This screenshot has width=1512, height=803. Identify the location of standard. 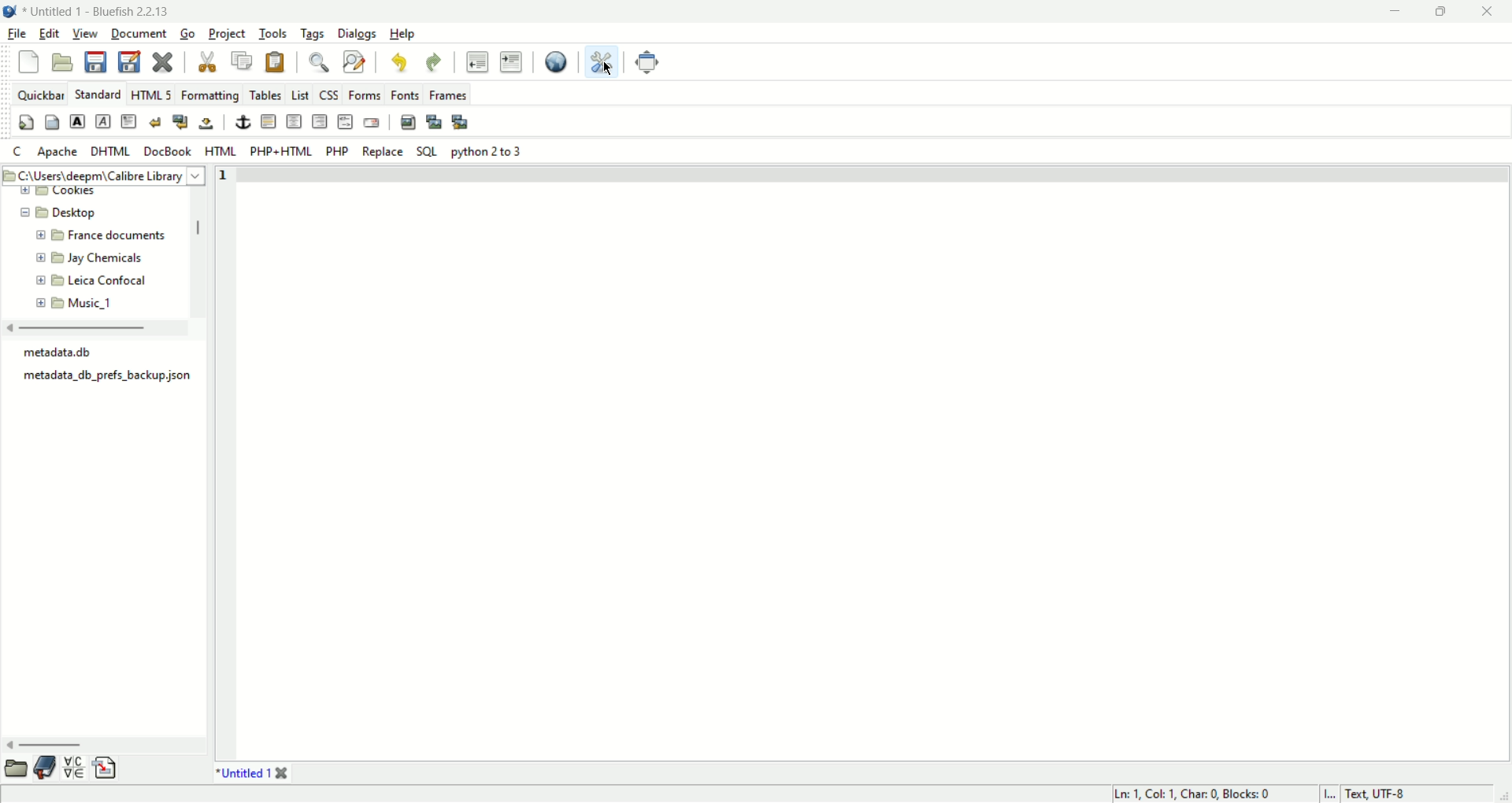
(97, 94).